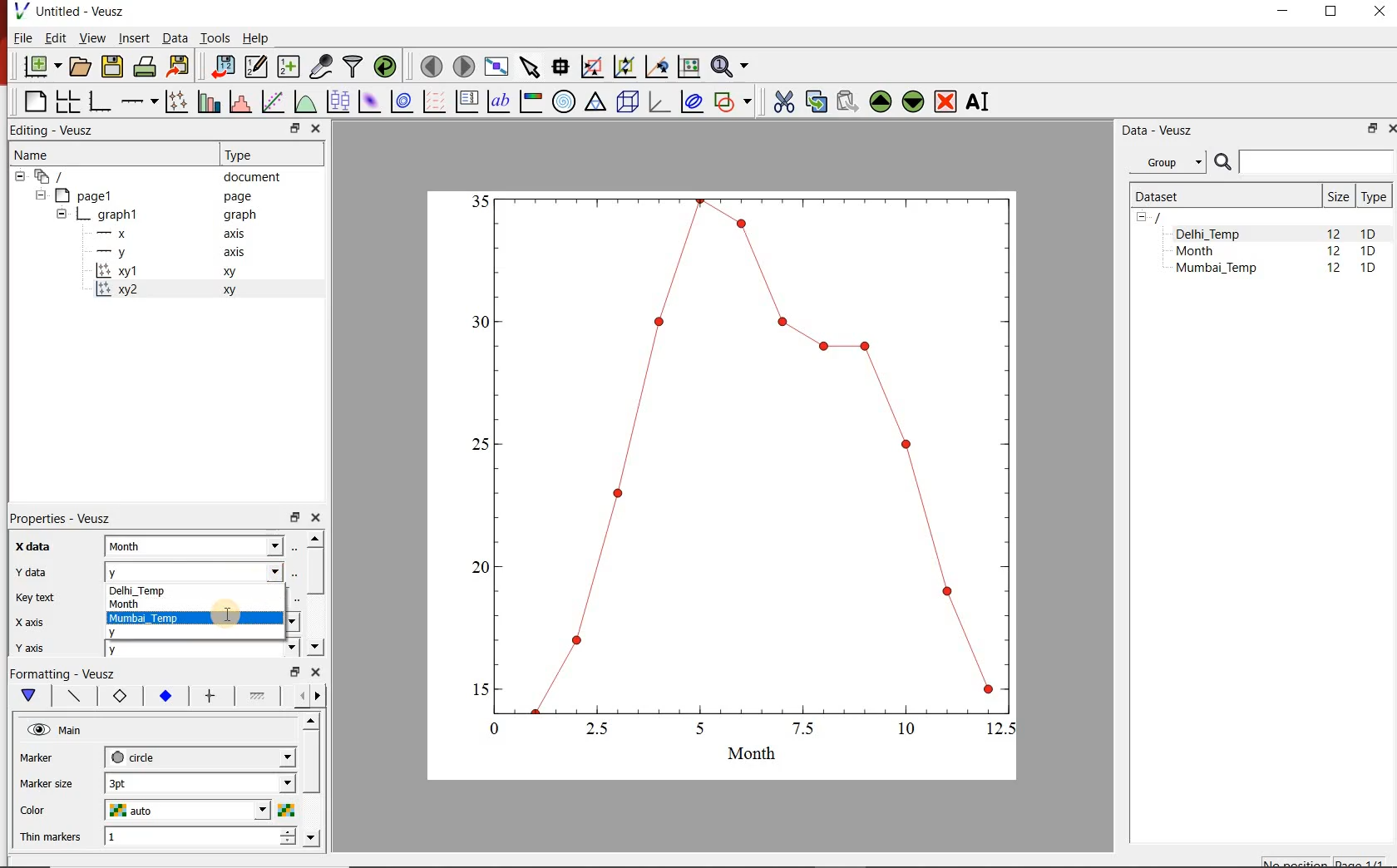 Image resolution: width=1397 pixels, height=868 pixels. What do you see at coordinates (402, 102) in the screenshot?
I see `plot a 2d dataset as contours` at bounding box center [402, 102].